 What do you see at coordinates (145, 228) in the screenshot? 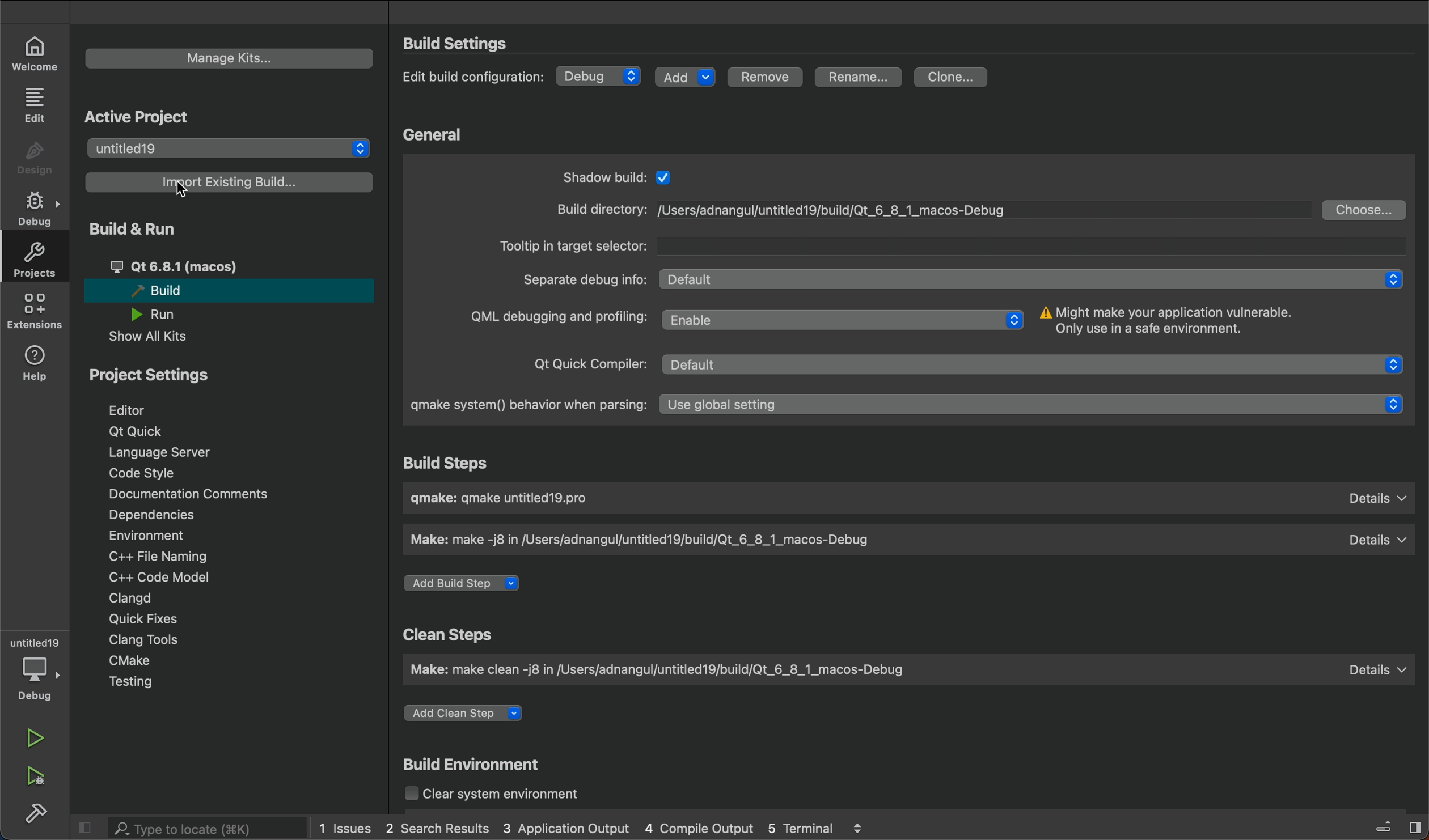
I see `build and run` at bounding box center [145, 228].